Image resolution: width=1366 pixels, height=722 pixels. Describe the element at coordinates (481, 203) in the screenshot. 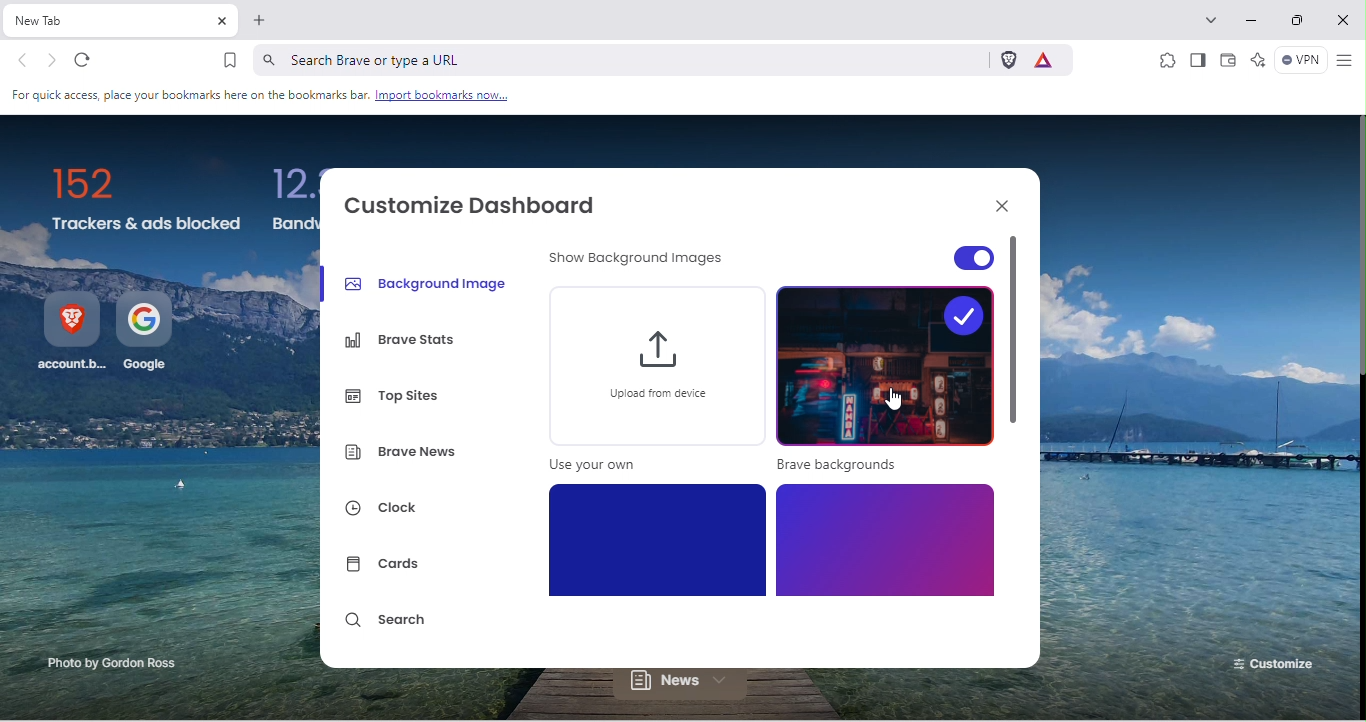

I see `Customize dashboard` at that location.